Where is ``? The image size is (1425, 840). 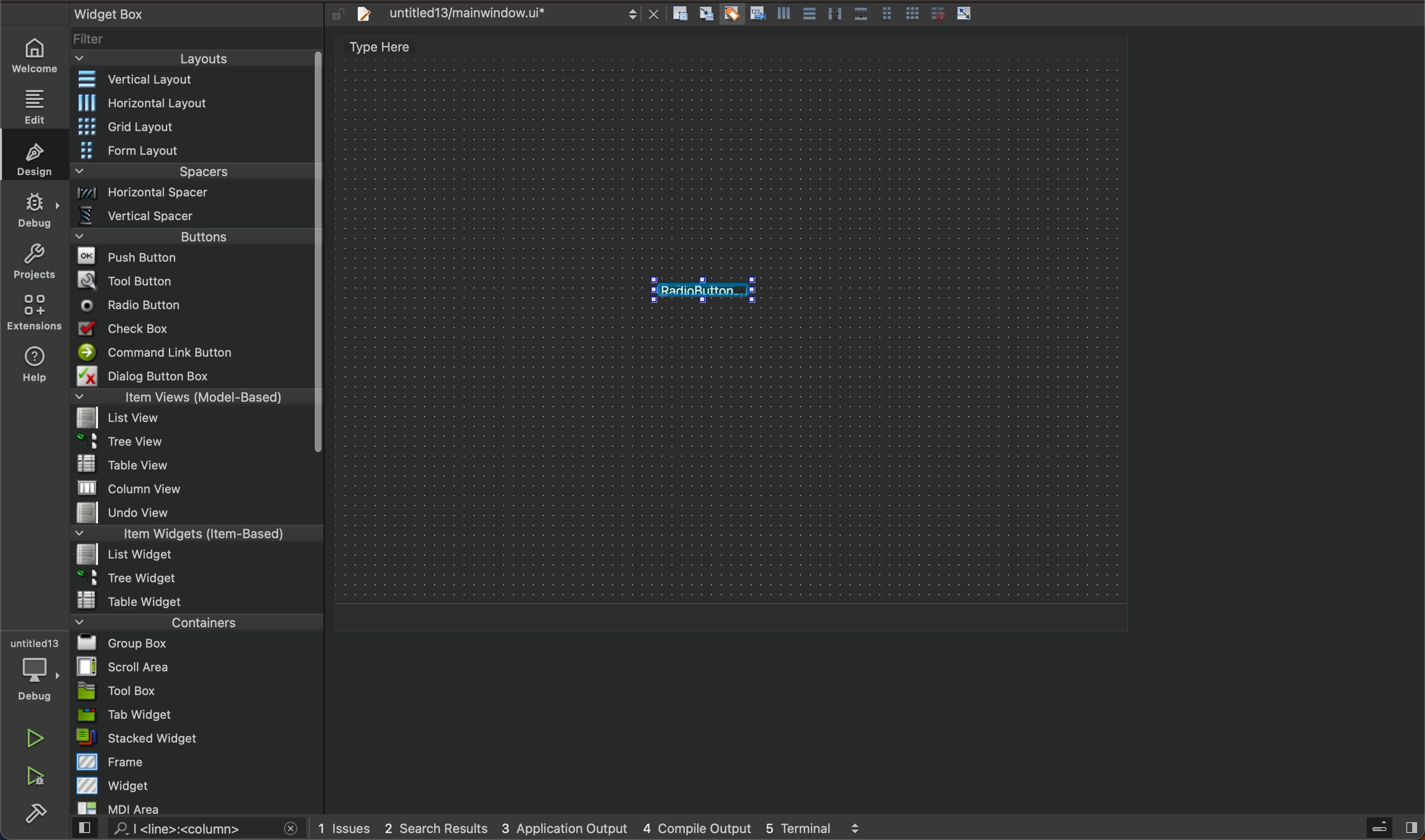
 is located at coordinates (200, 103).